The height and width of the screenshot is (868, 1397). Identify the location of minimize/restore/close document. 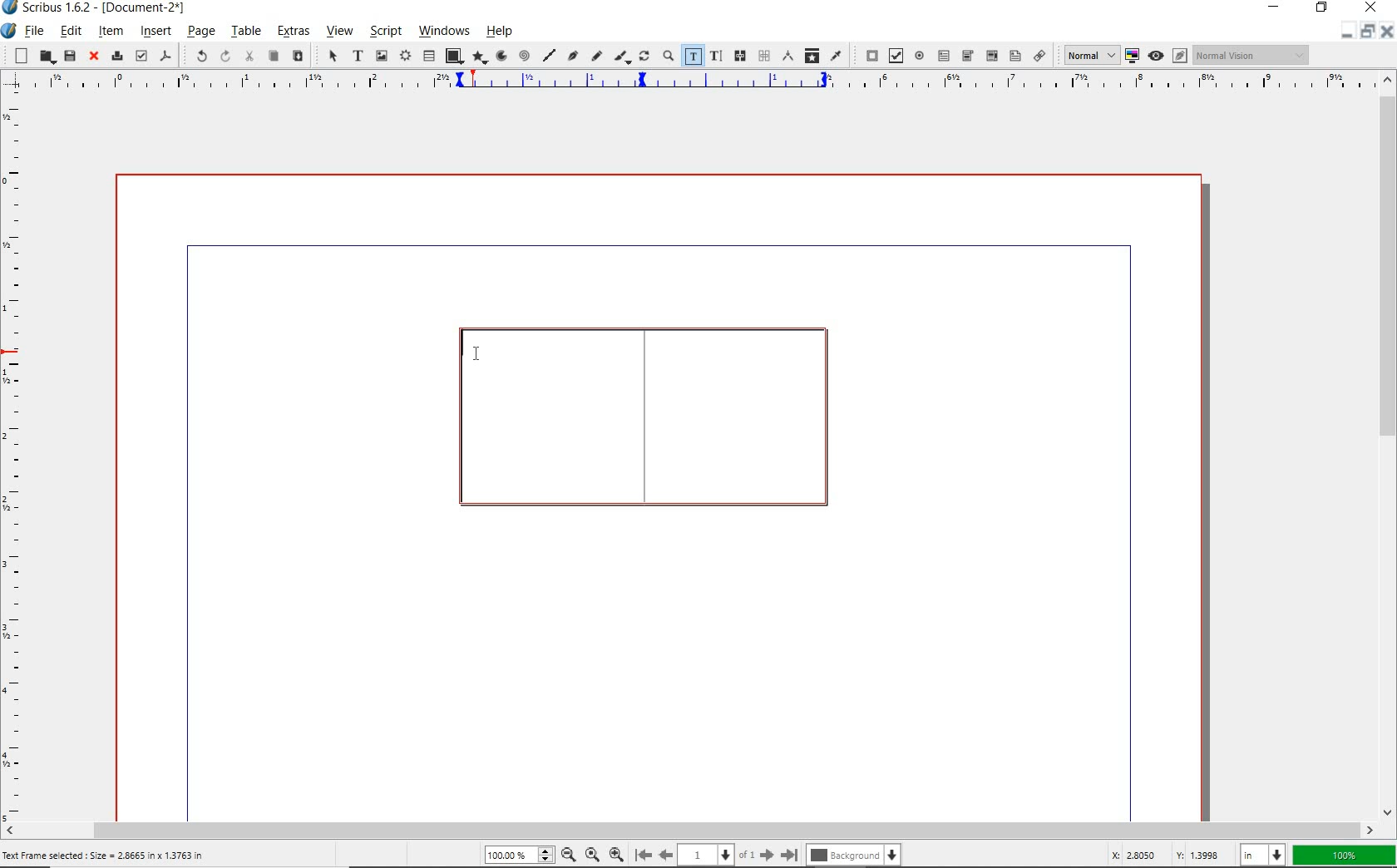
(1368, 31).